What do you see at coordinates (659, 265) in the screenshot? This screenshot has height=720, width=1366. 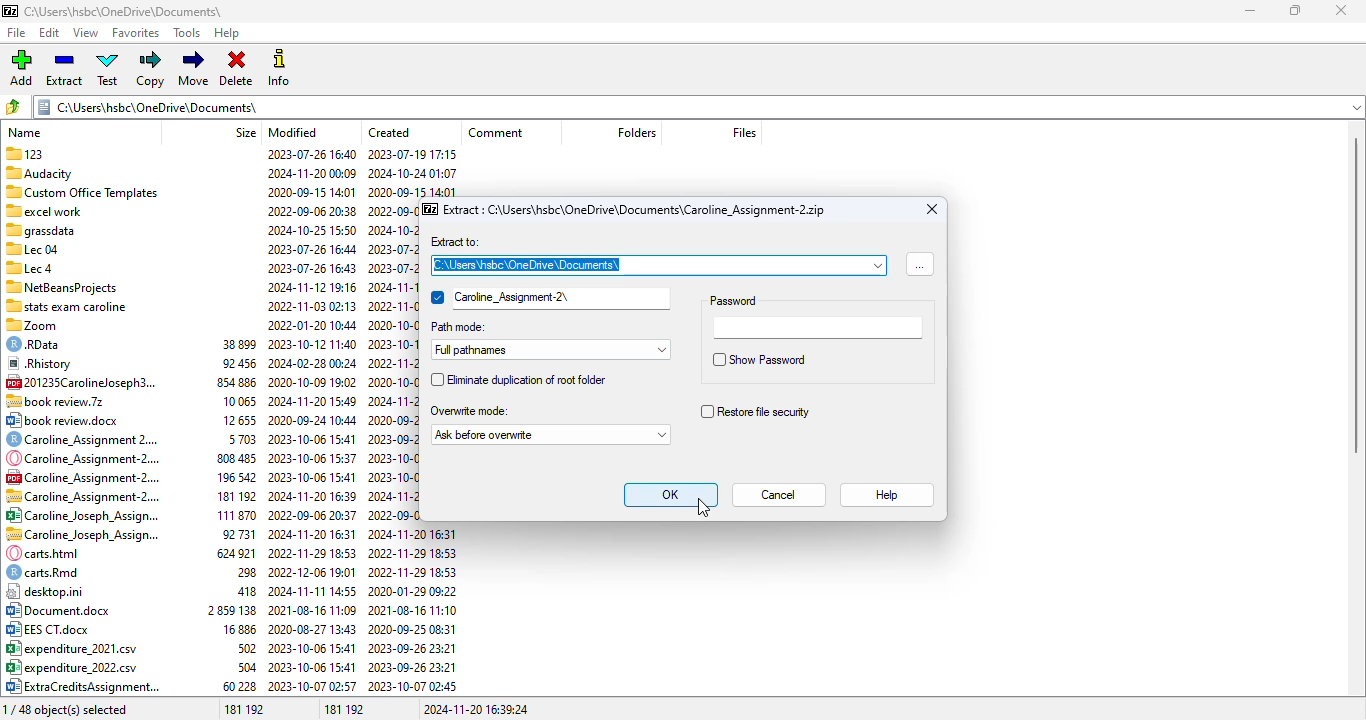 I see `folder` at bounding box center [659, 265].